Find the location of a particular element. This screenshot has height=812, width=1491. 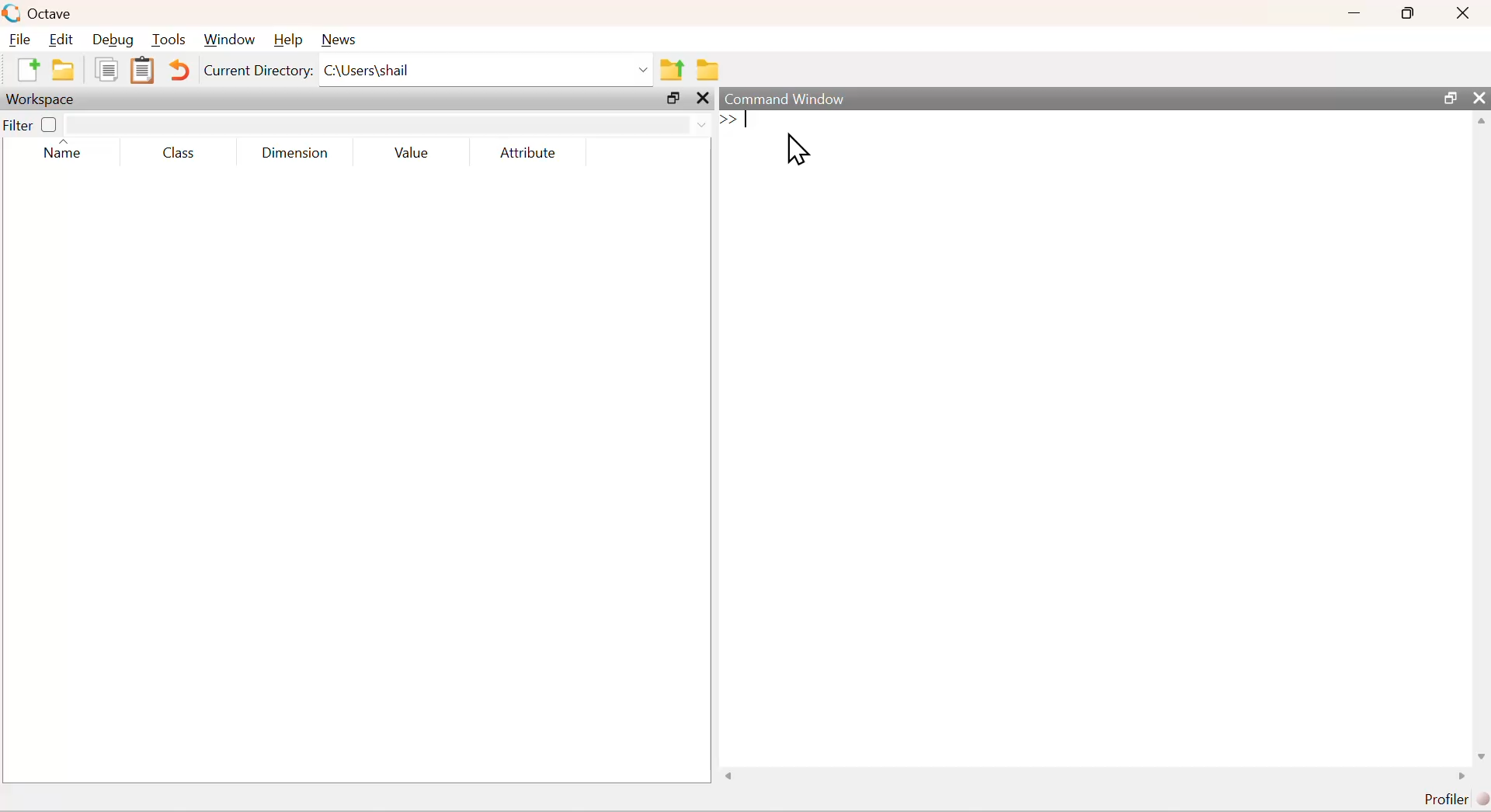

Command Window is located at coordinates (799, 99).